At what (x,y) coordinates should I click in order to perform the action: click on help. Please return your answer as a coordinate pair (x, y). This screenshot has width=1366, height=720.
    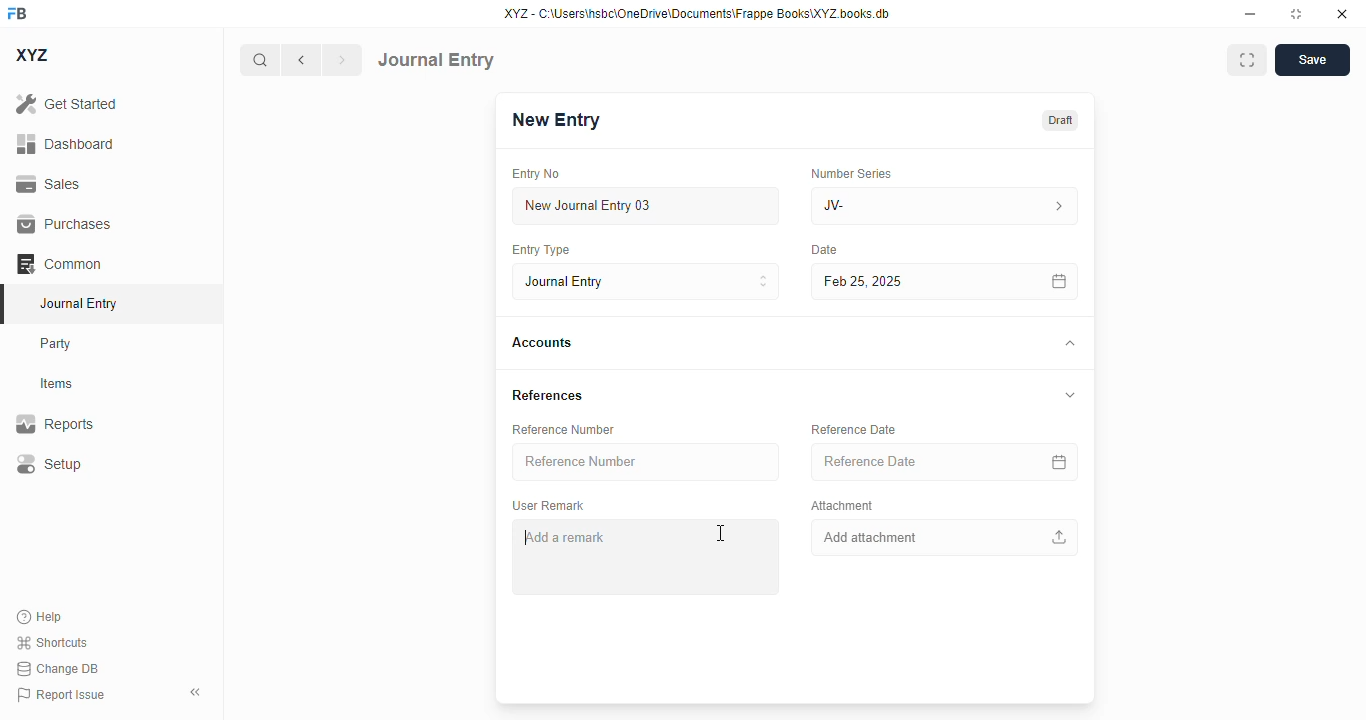
    Looking at the image, I should click on (40, 617).